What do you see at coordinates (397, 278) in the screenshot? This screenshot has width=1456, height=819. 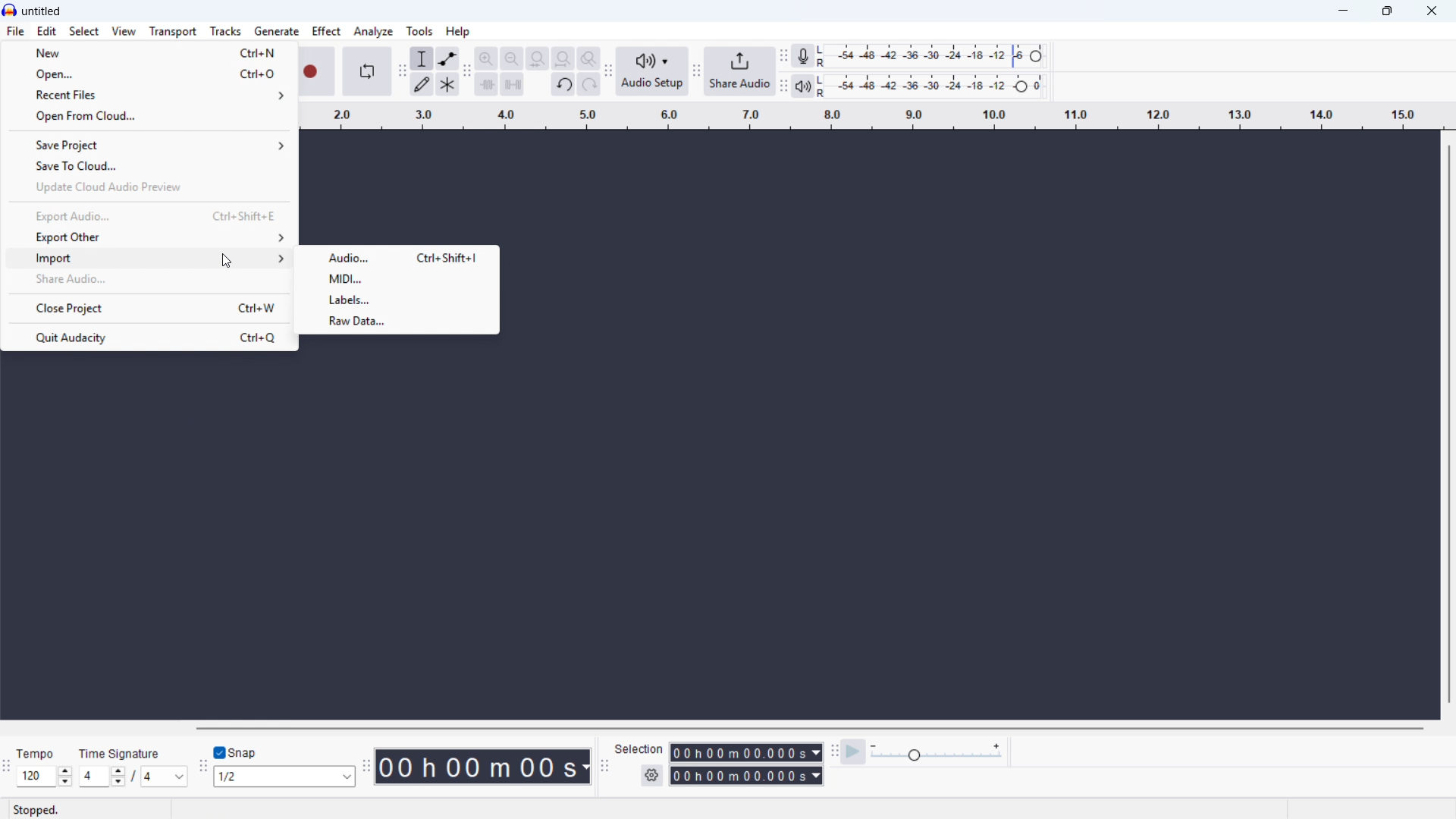 I see `Midi ` at bounding box center [397, 278].